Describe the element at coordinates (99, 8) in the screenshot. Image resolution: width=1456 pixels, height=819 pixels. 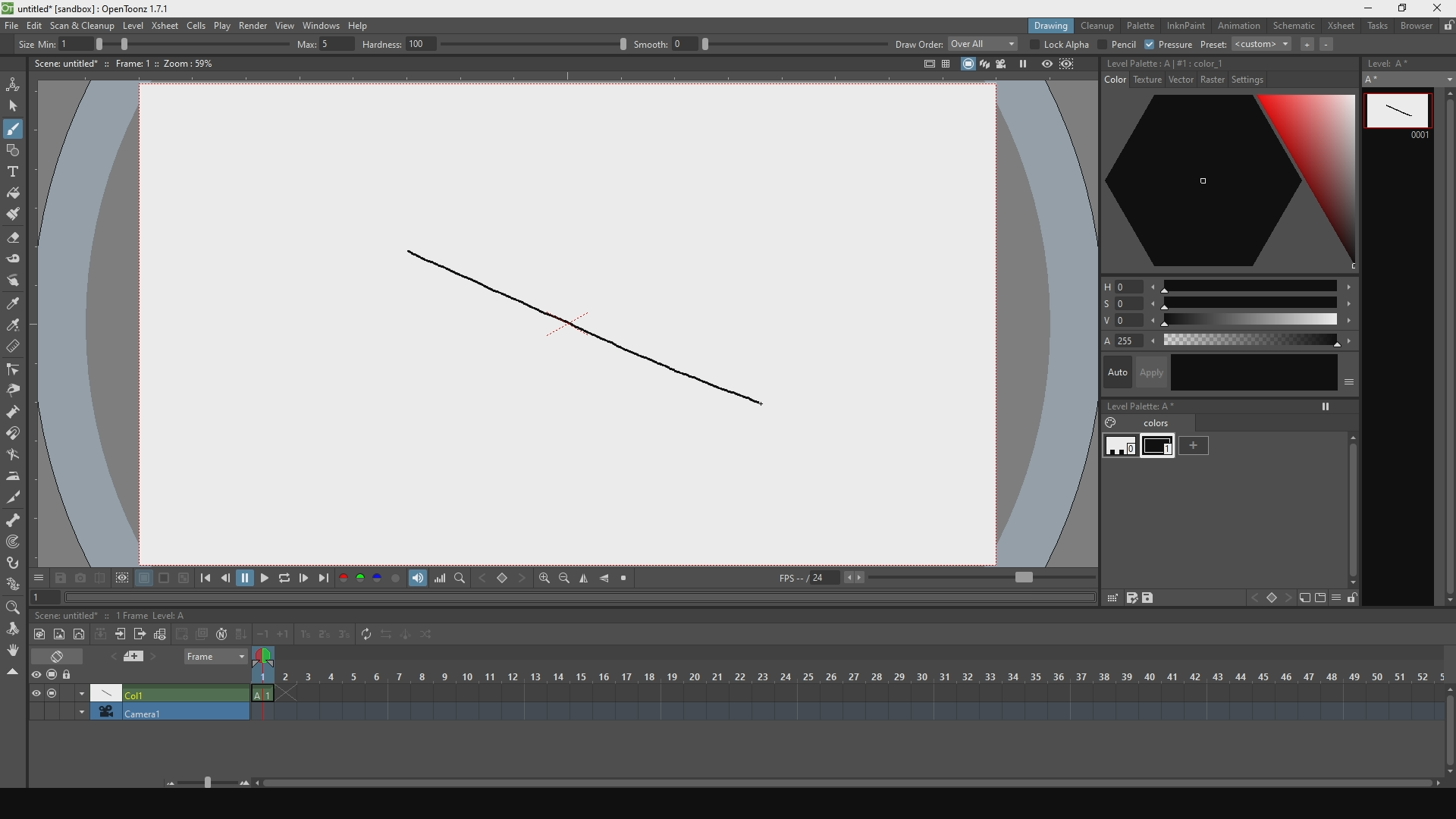
I see `title` at that location.